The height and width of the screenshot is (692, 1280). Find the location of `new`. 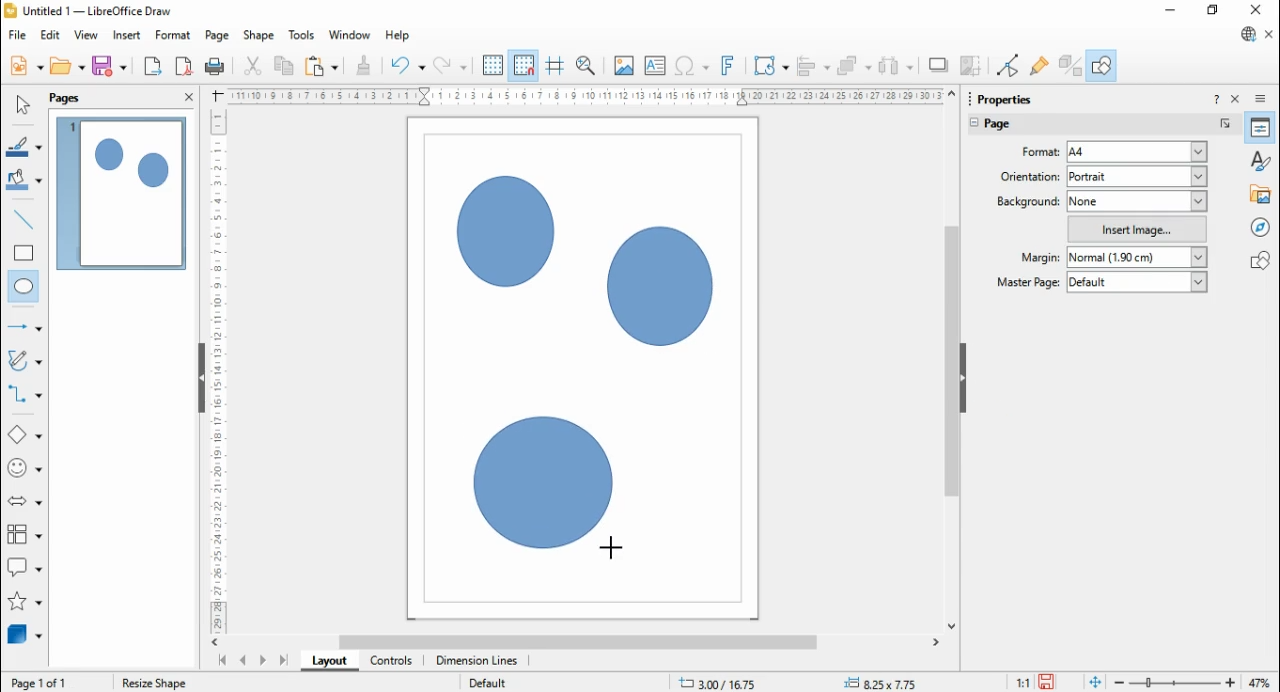

new is located at coordinates (26, 65).